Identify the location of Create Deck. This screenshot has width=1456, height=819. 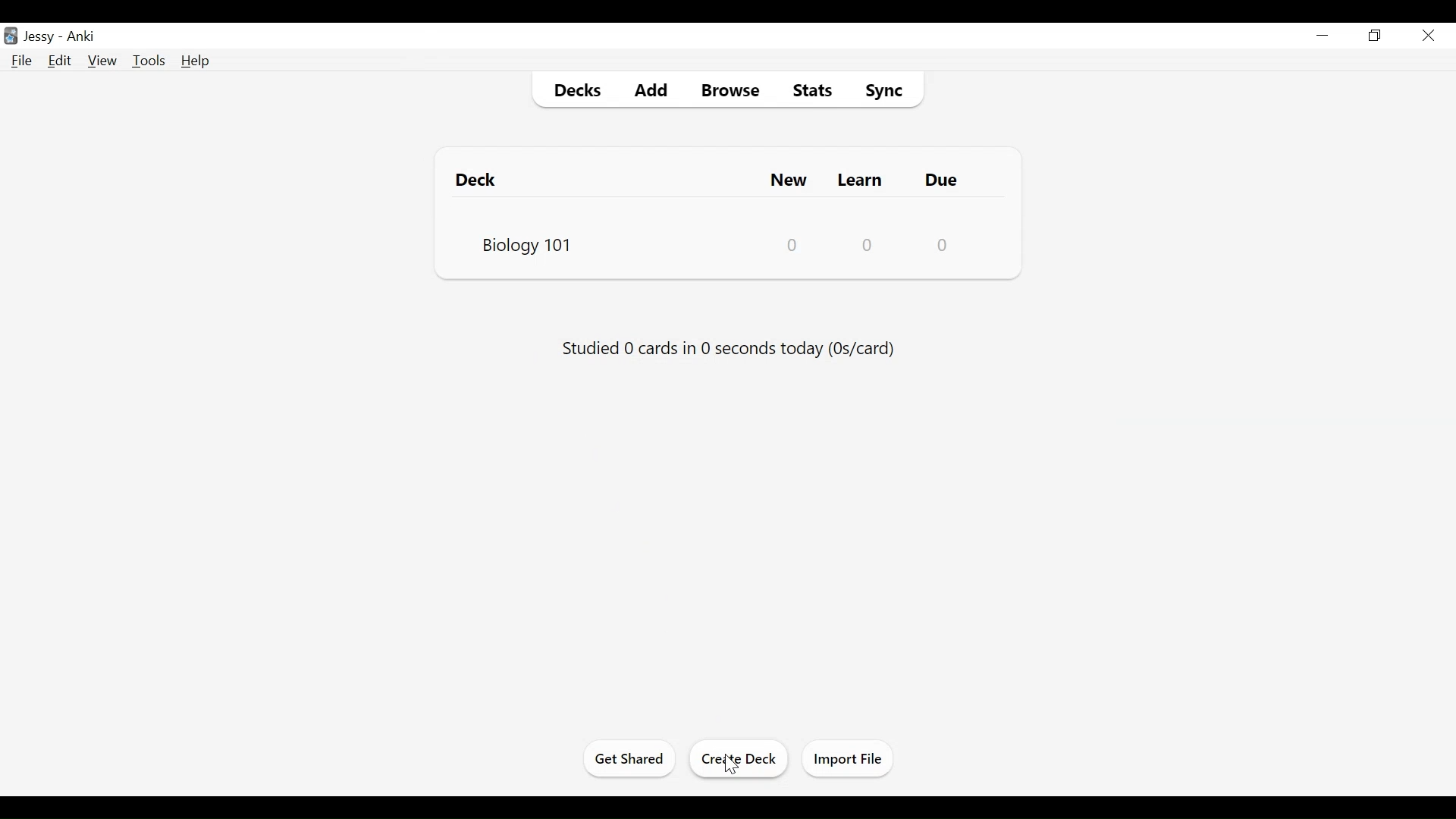
(741, 759).